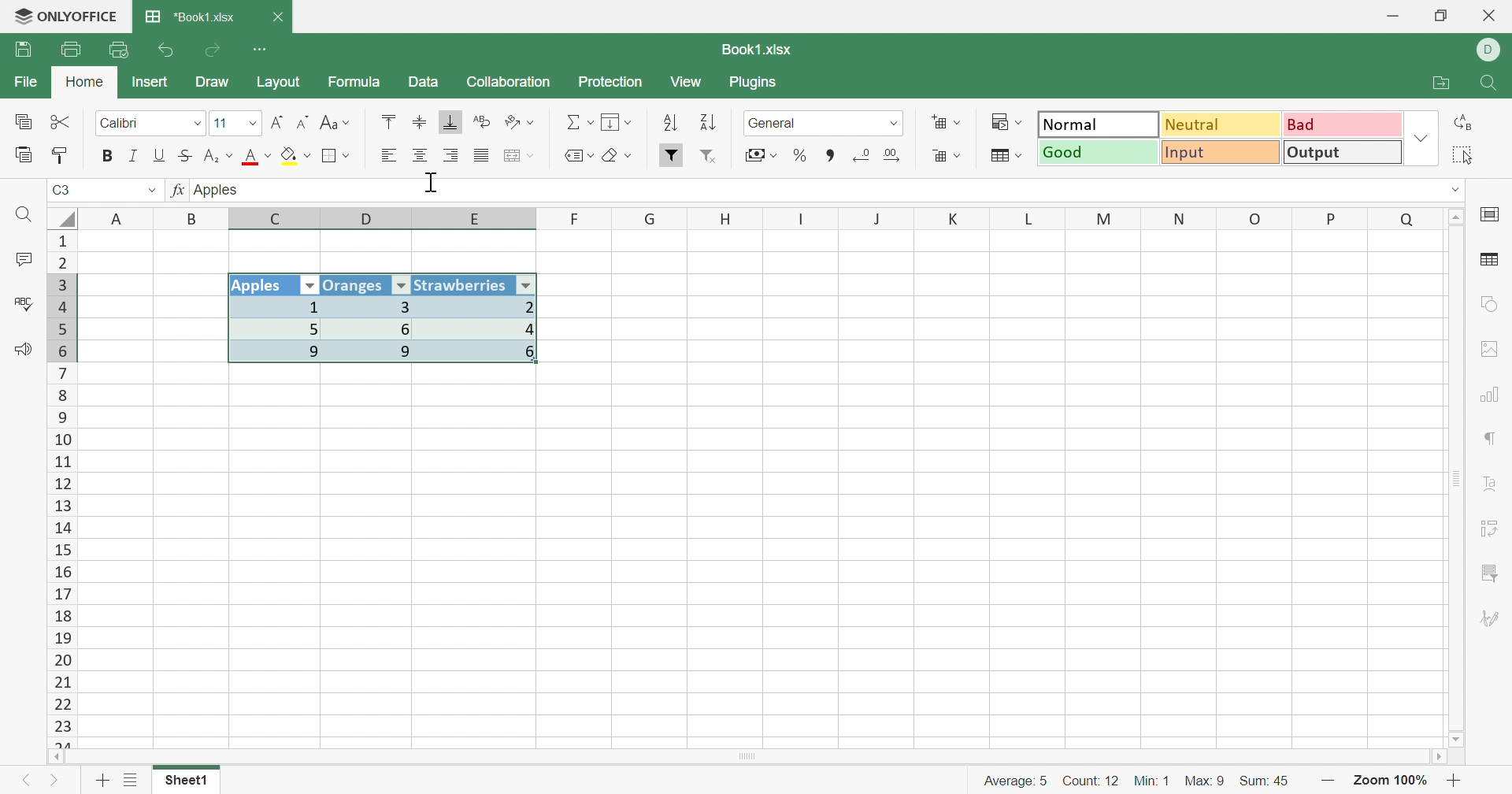 The height and width of the screenshot is (794, 1512). I want to click on Home, so click(84, 83).